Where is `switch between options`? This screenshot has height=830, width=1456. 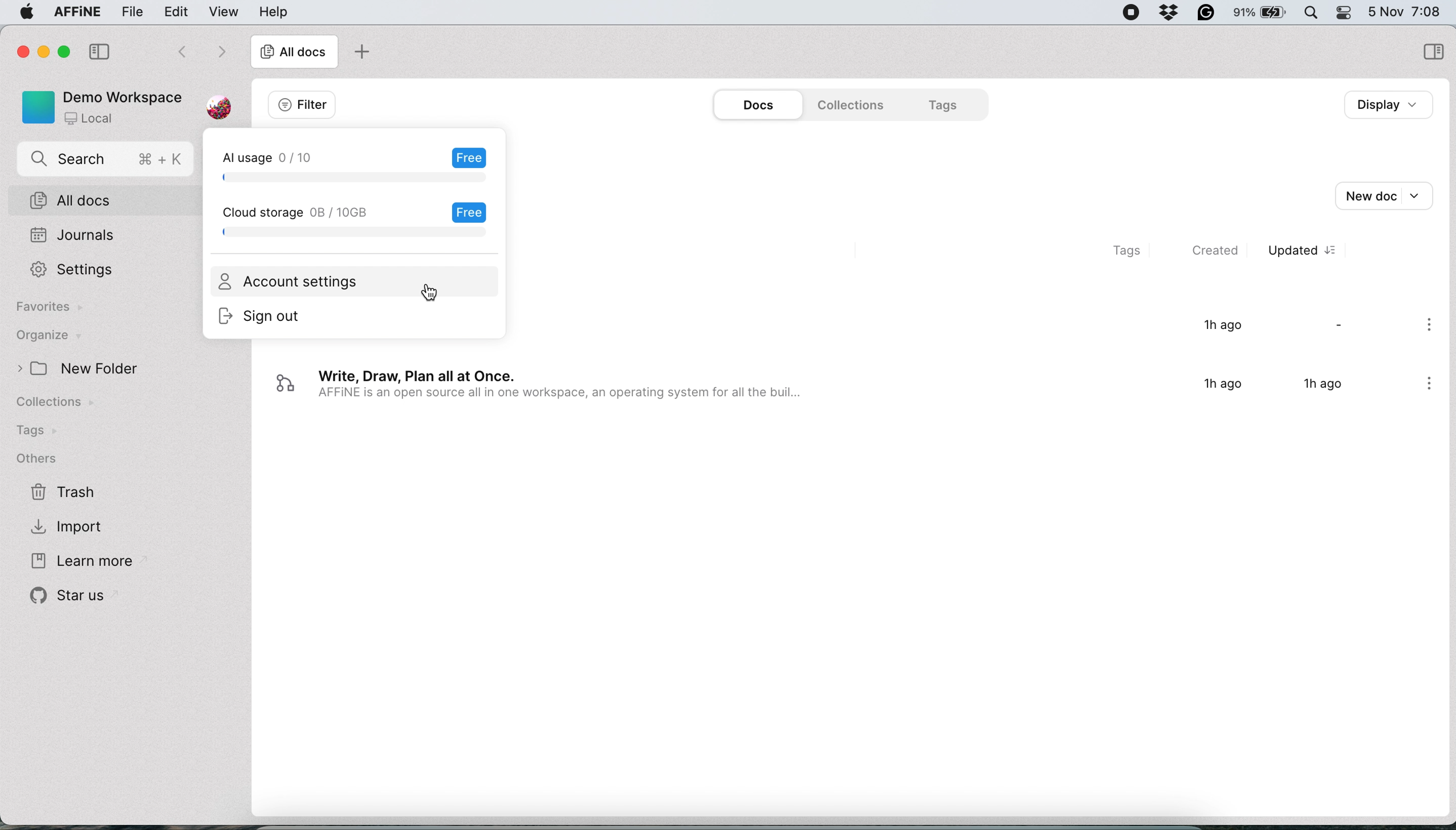
switch between options is located at coordinates (221, 51).